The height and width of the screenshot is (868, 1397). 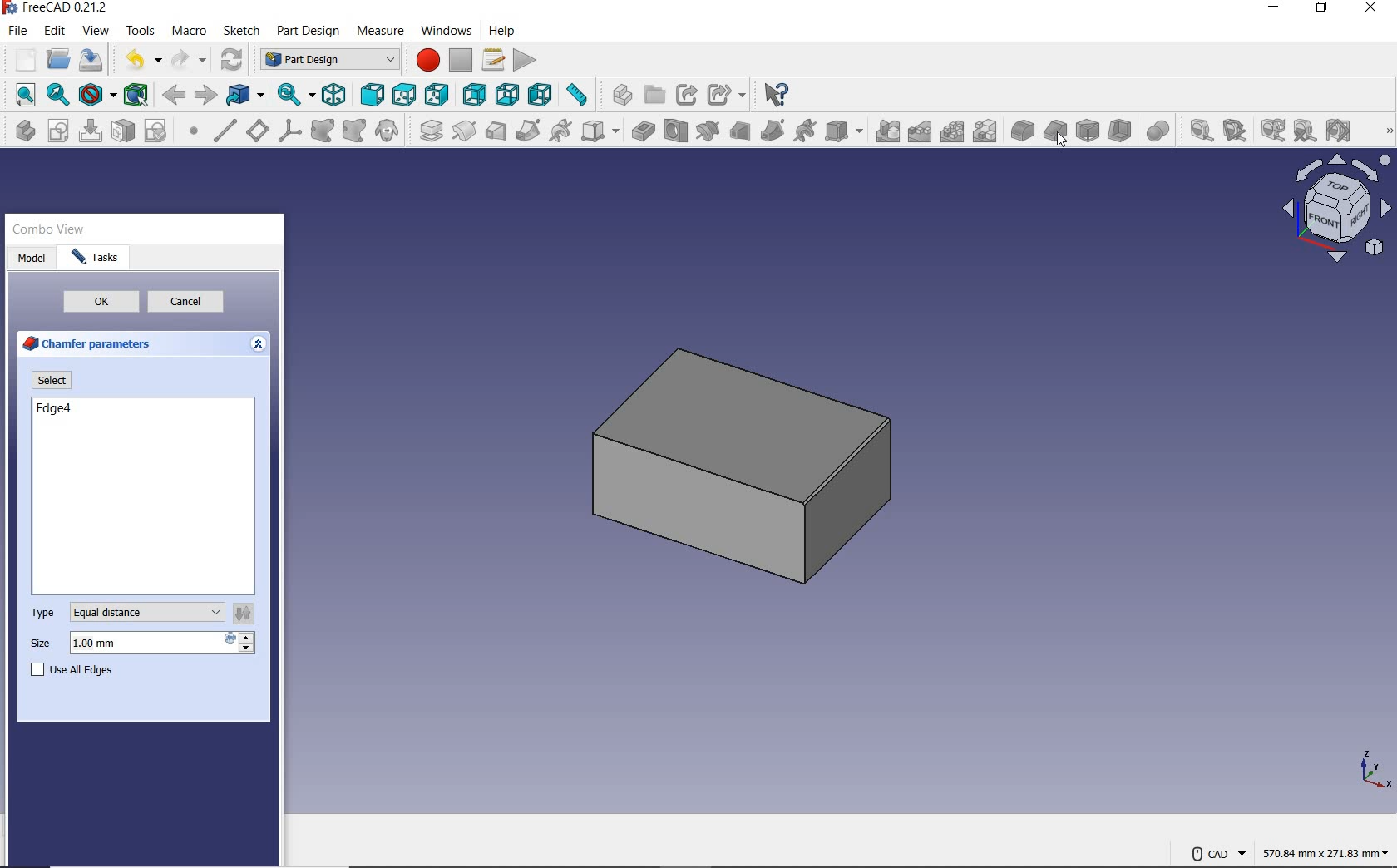 What do you see at coordinates (264, 343) in the screenshot?
I see `expand` at bounding box center [264, 343].